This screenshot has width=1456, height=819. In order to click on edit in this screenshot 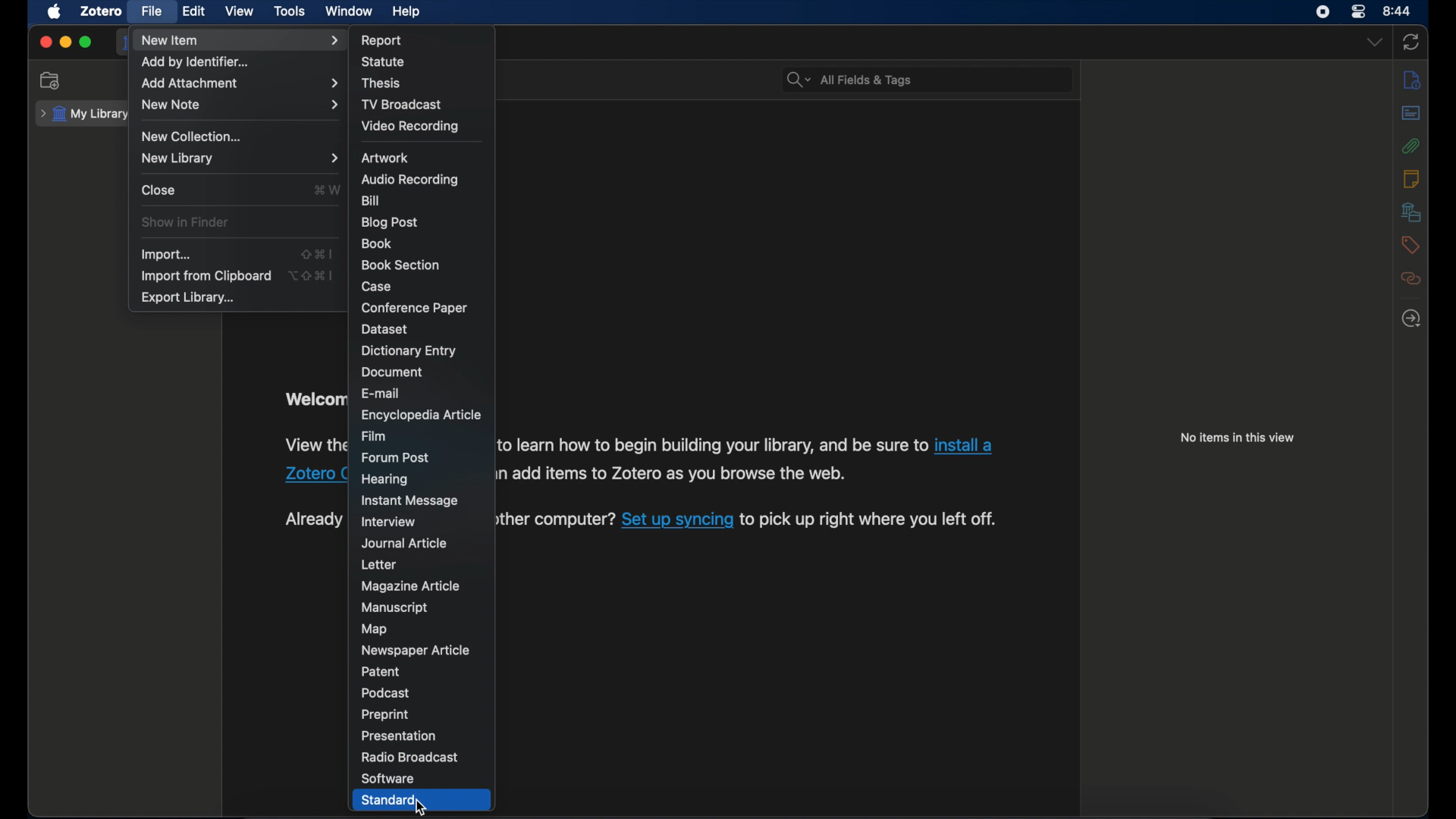, I will do `click(192, 11)`.